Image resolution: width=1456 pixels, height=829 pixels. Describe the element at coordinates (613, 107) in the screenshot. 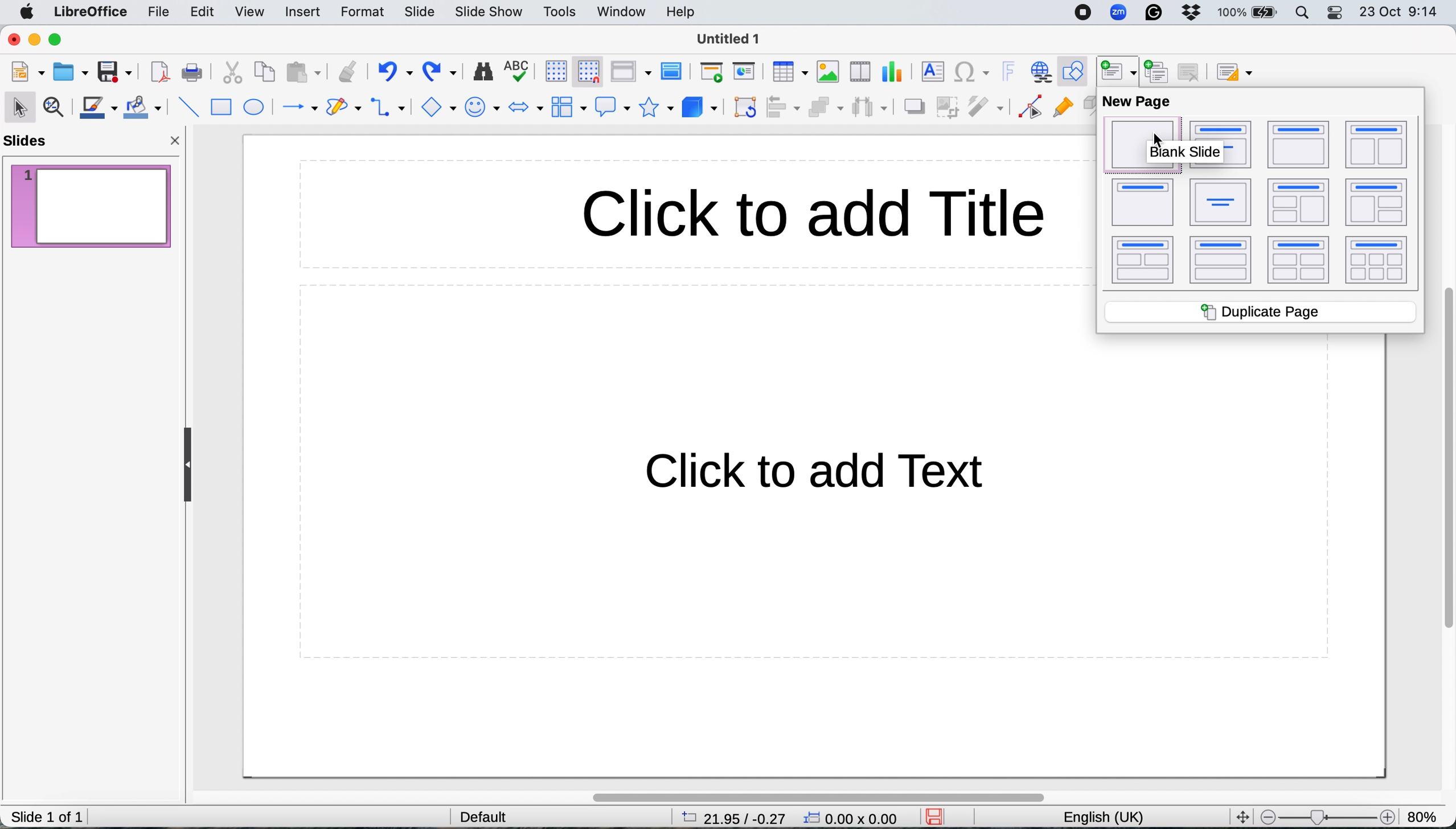

I see `callout shapes` at that location.